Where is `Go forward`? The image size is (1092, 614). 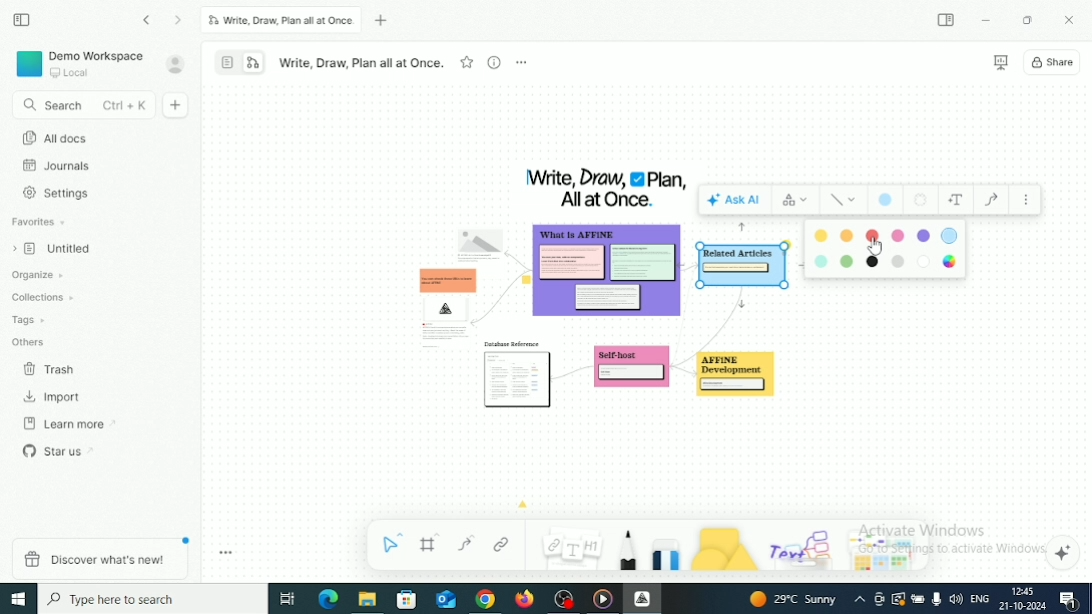
Go forward is located at coordinates (179, 21).